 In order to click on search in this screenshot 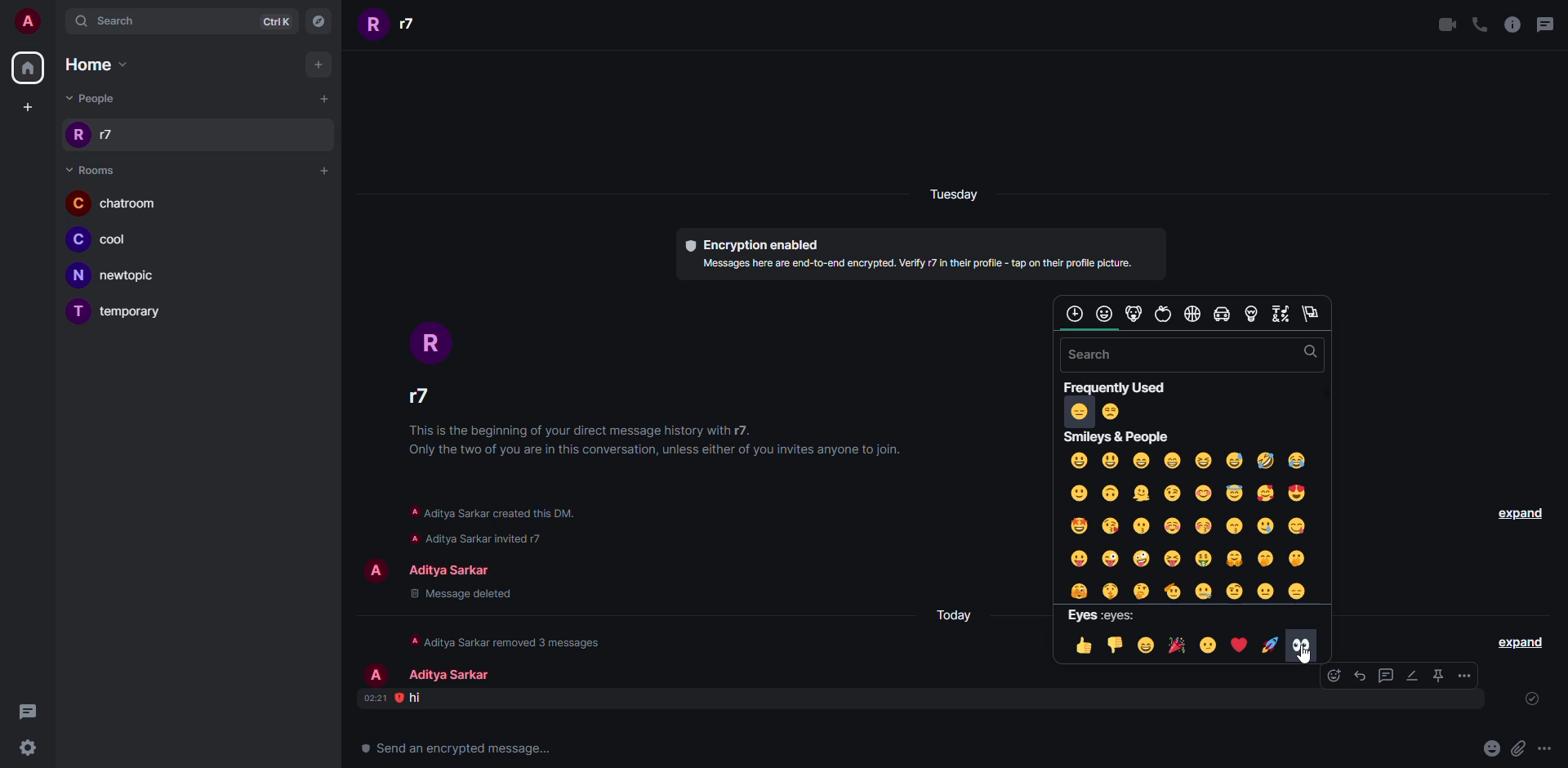, I will do `click(1307, 352)`.